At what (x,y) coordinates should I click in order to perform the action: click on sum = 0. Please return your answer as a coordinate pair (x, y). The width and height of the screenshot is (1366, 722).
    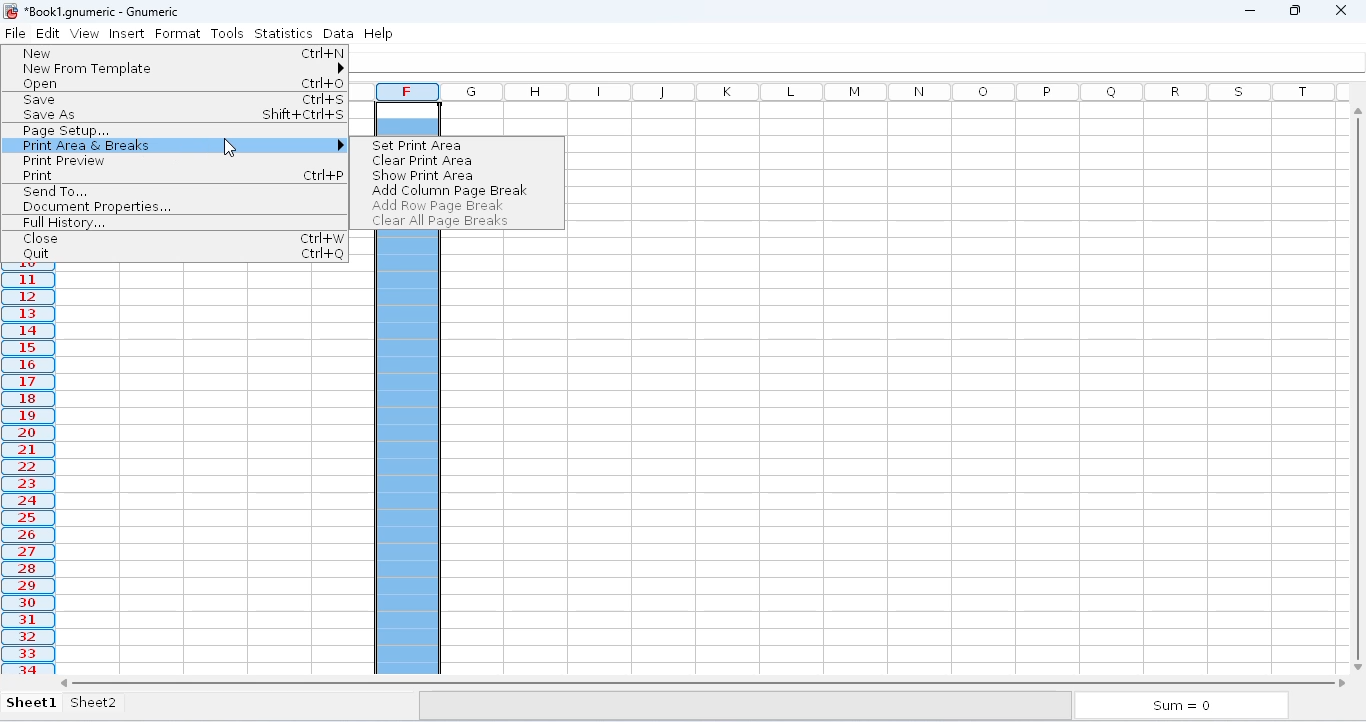
    Looking at the image, I should click on (1184, 705).